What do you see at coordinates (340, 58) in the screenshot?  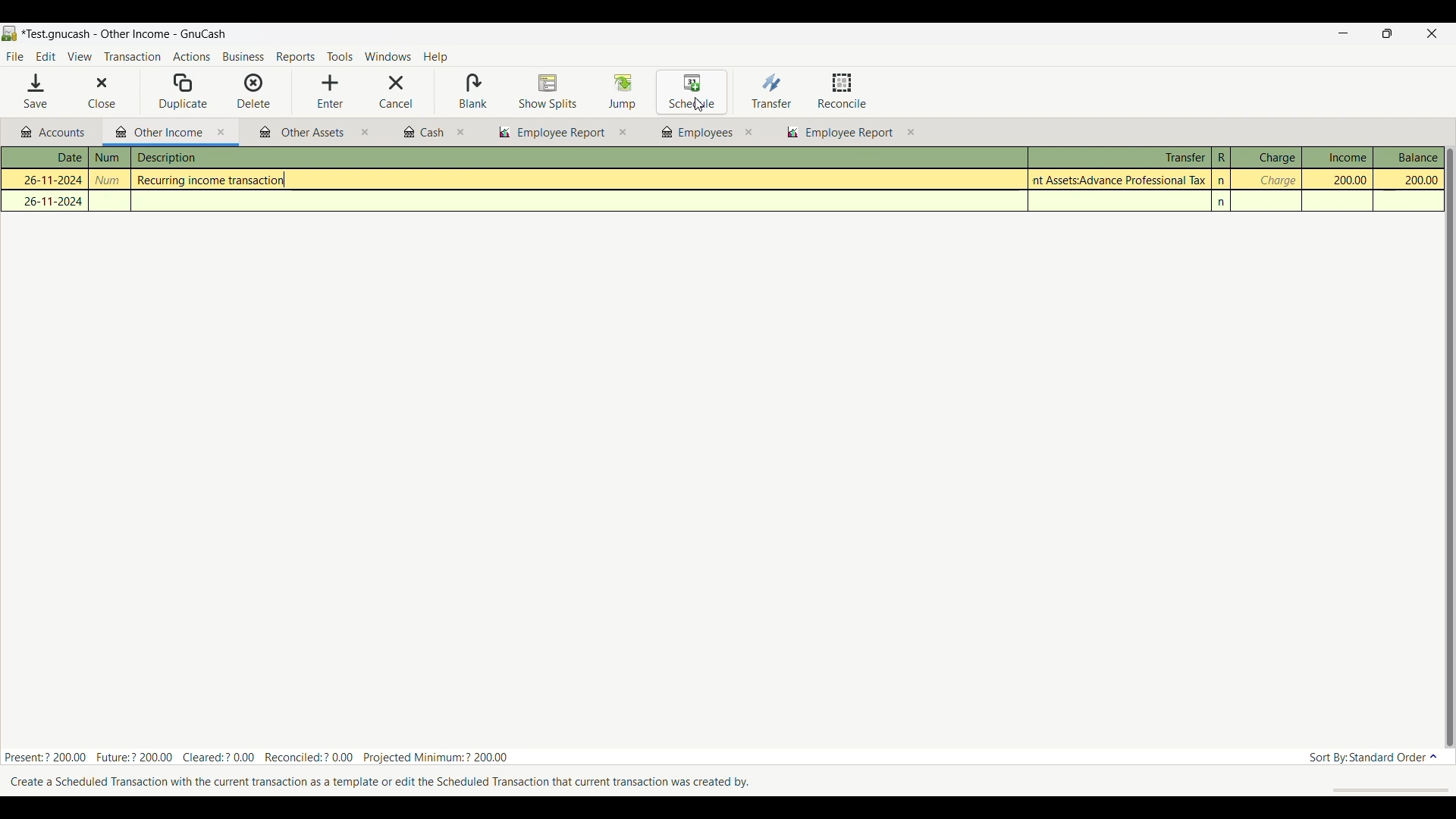 I see `Tools menu` at bounding box center [340, 58].